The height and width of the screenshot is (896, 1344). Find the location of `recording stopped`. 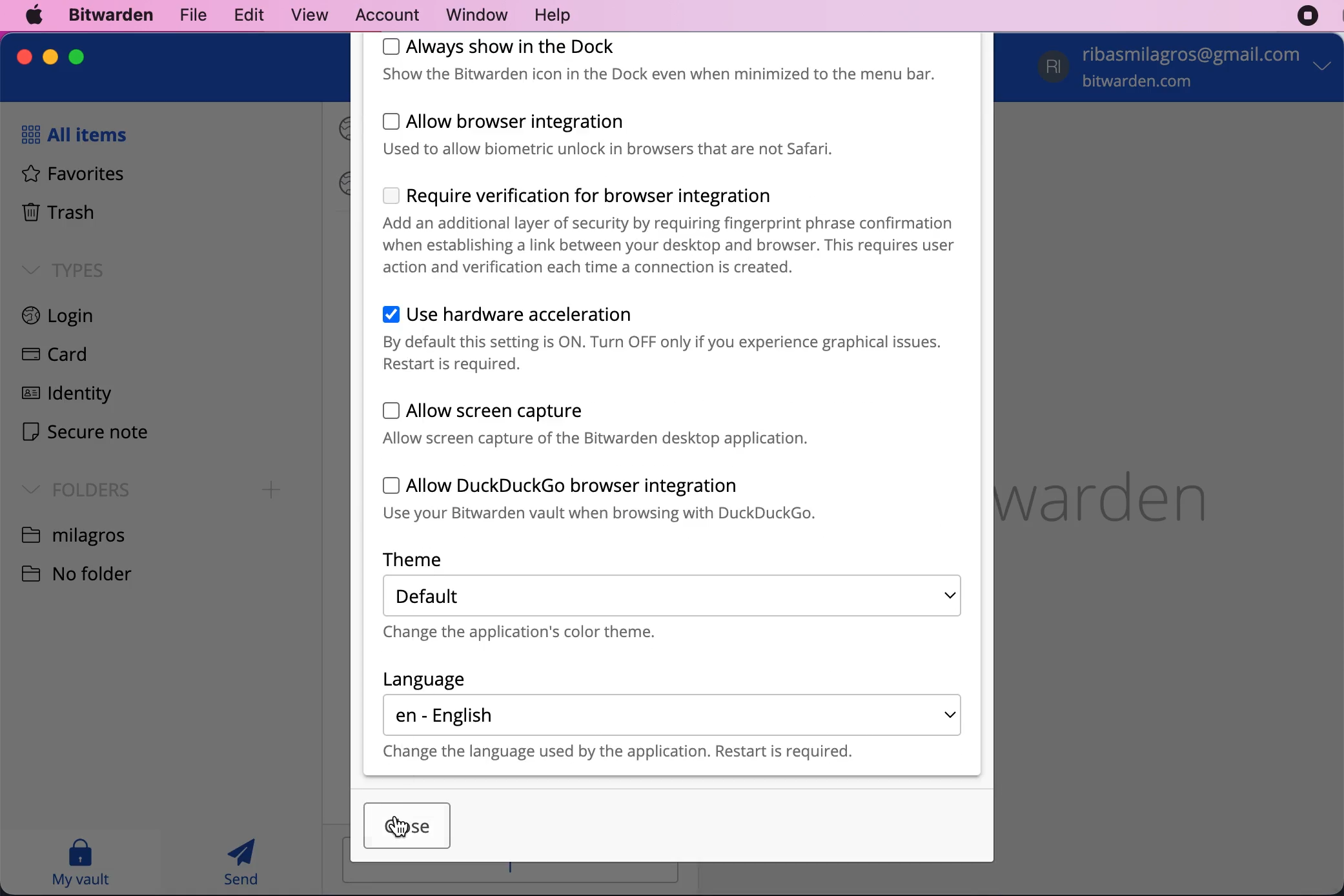

recording stopped is located at coordinates (1308, 16).